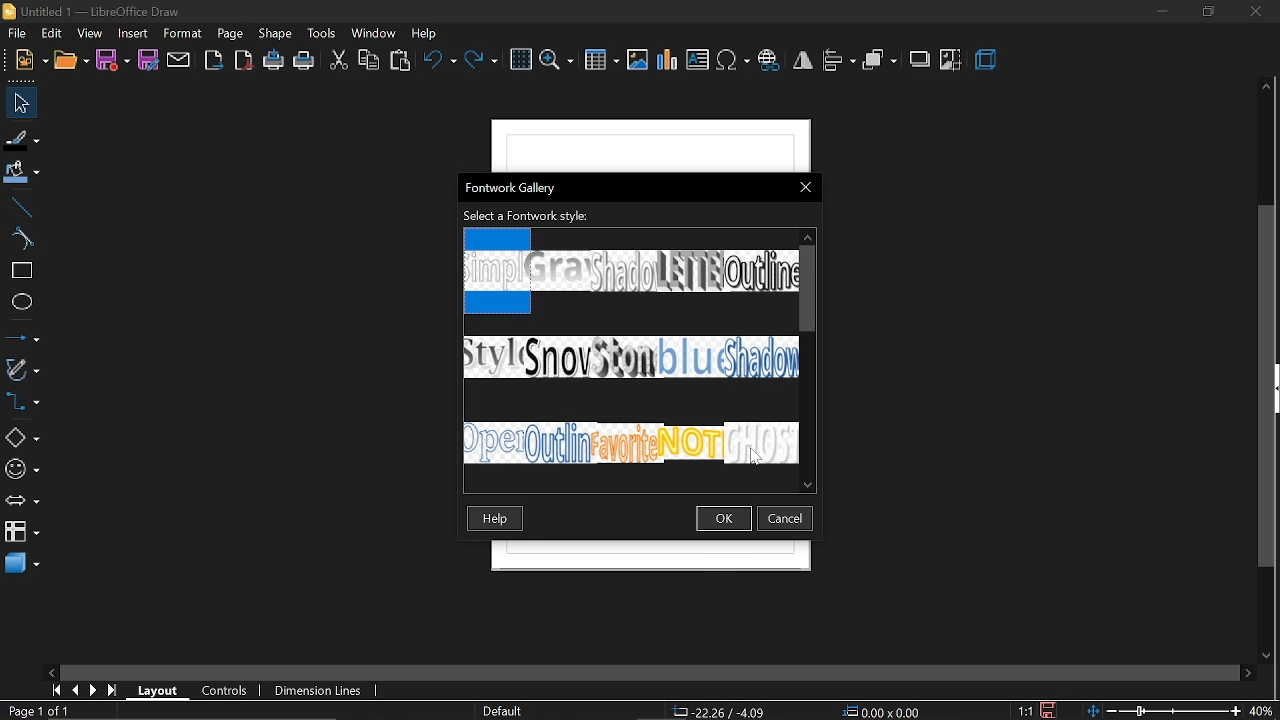 This screenshot has height=720, width=1280. What do you see at coordinates (601, 61) in the screenshot?
I see `insert table` at bounding box center [601, 61].